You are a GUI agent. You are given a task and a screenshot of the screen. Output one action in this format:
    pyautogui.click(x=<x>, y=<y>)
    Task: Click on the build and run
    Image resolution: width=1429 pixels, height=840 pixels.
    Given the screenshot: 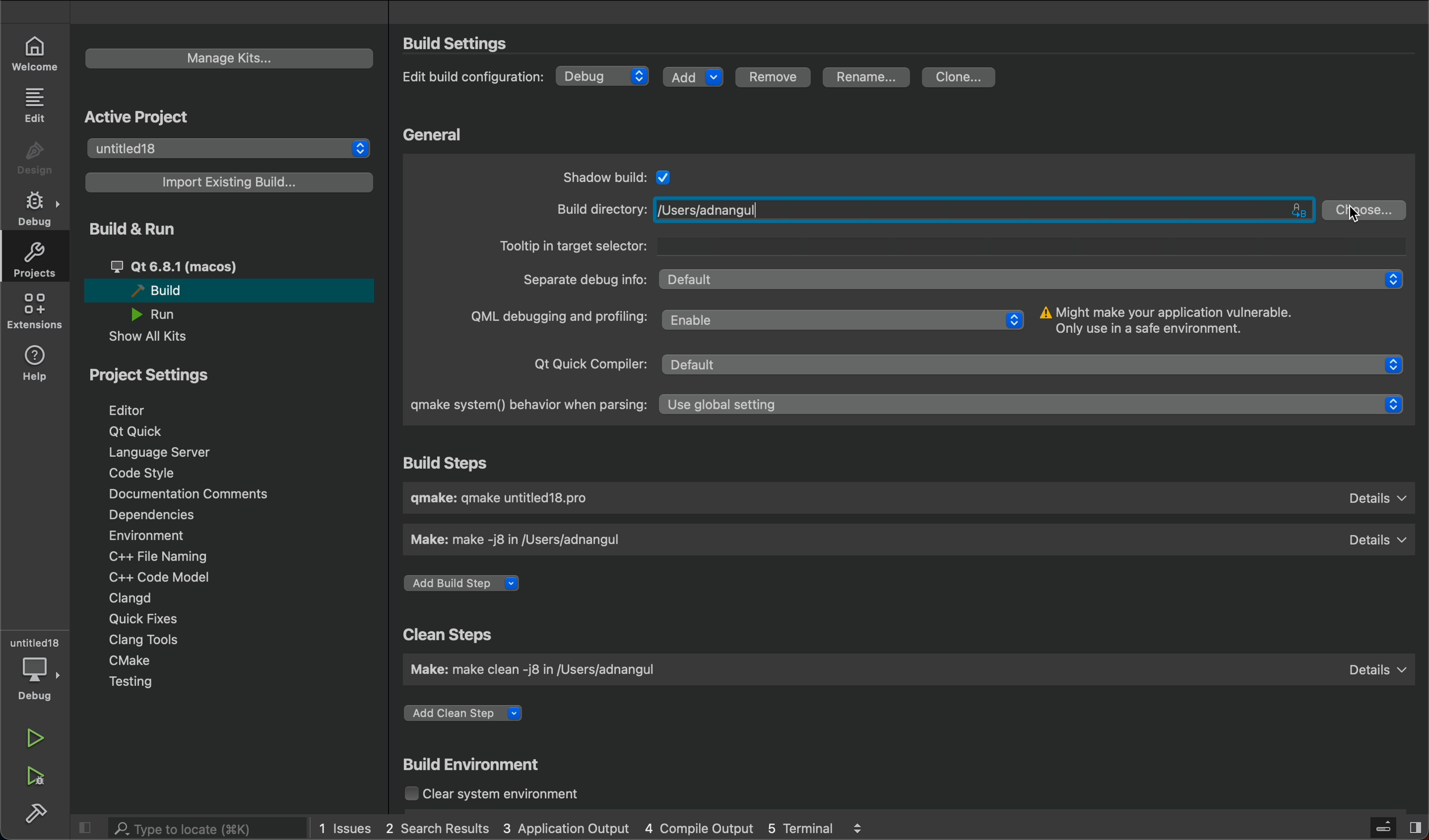 What is the action you would take?
    pyautogui.click(x=137, y=230)
    